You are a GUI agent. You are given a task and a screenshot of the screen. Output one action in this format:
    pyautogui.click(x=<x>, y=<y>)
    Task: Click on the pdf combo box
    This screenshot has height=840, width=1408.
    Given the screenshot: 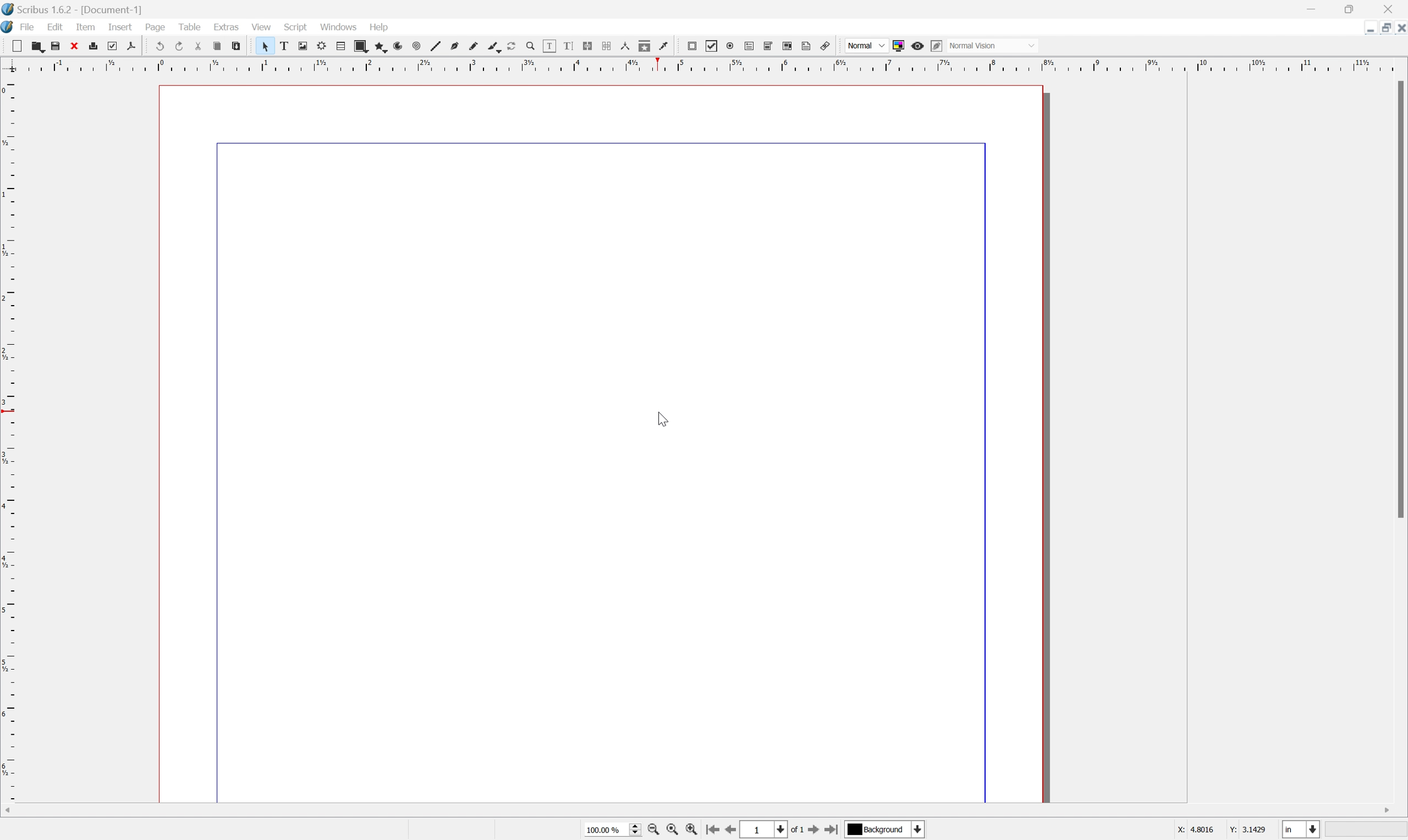 What is the action you would take?
    pyautogui.click(x=770, y=45)
    